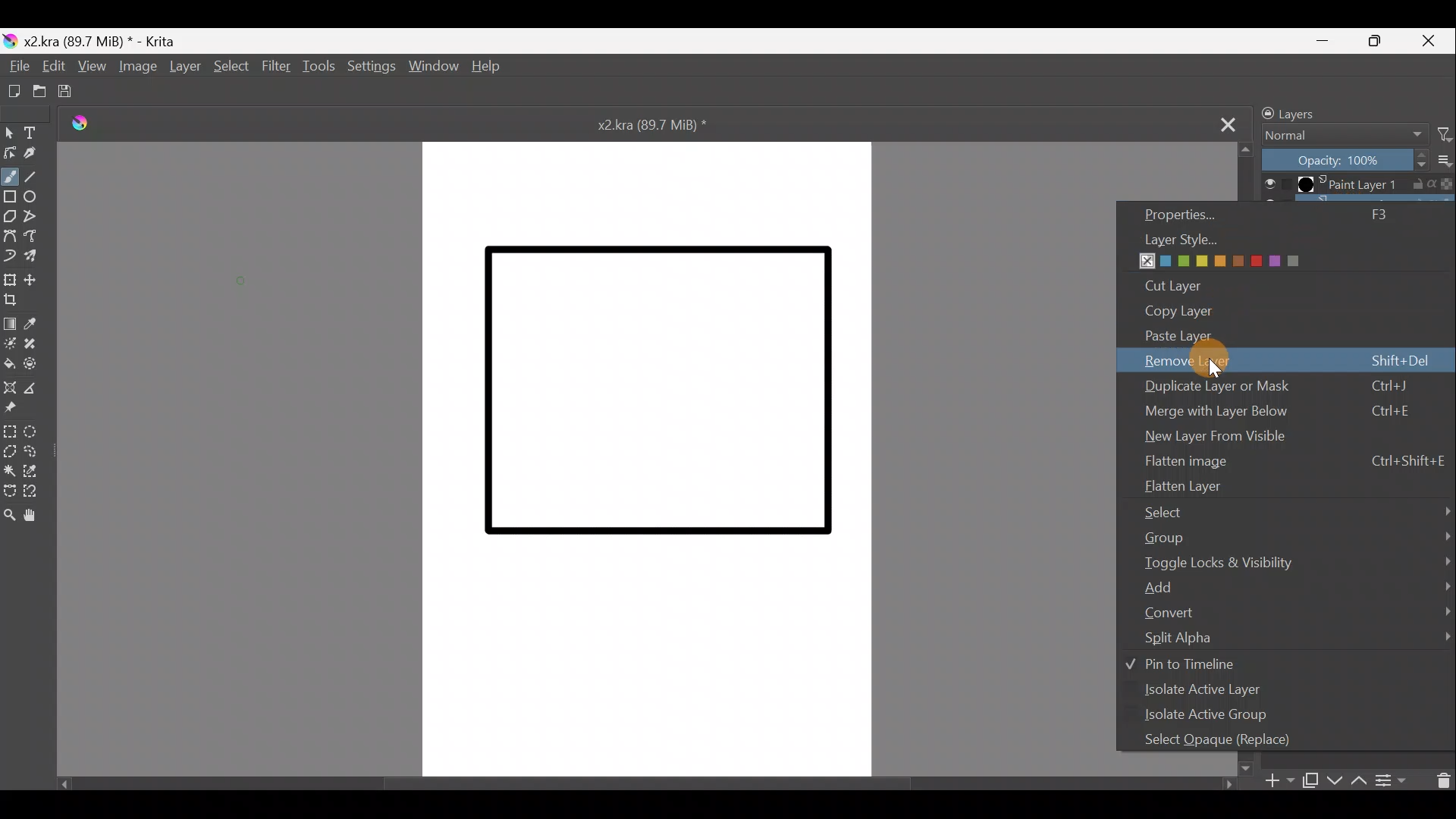 Image resolution: width=1456 pixels, height=819 pixels. Describe the element at coordinates (11, 364) in the screenshot. I see `Fill a contiguous area of colour with colour/fill a selection` at that location.